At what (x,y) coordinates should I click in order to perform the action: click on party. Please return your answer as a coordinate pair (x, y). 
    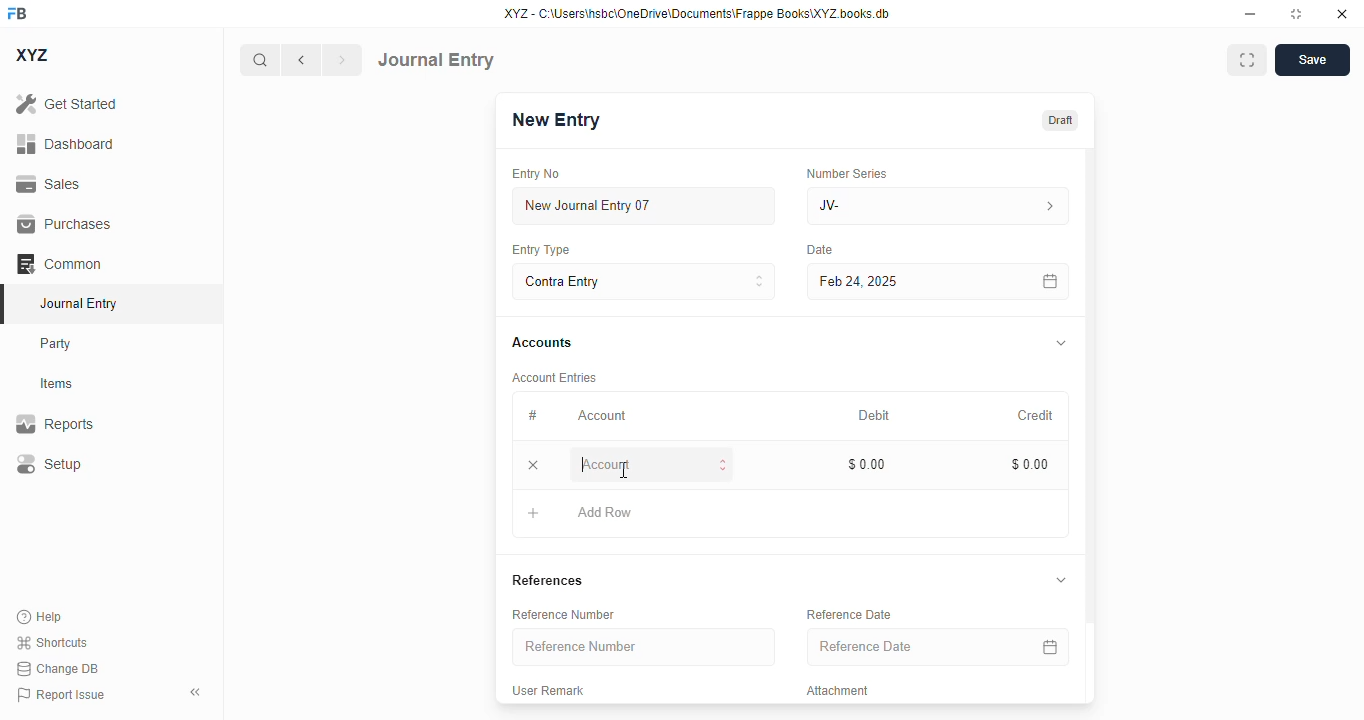
    Looking at the image, I should click on (58, 344).